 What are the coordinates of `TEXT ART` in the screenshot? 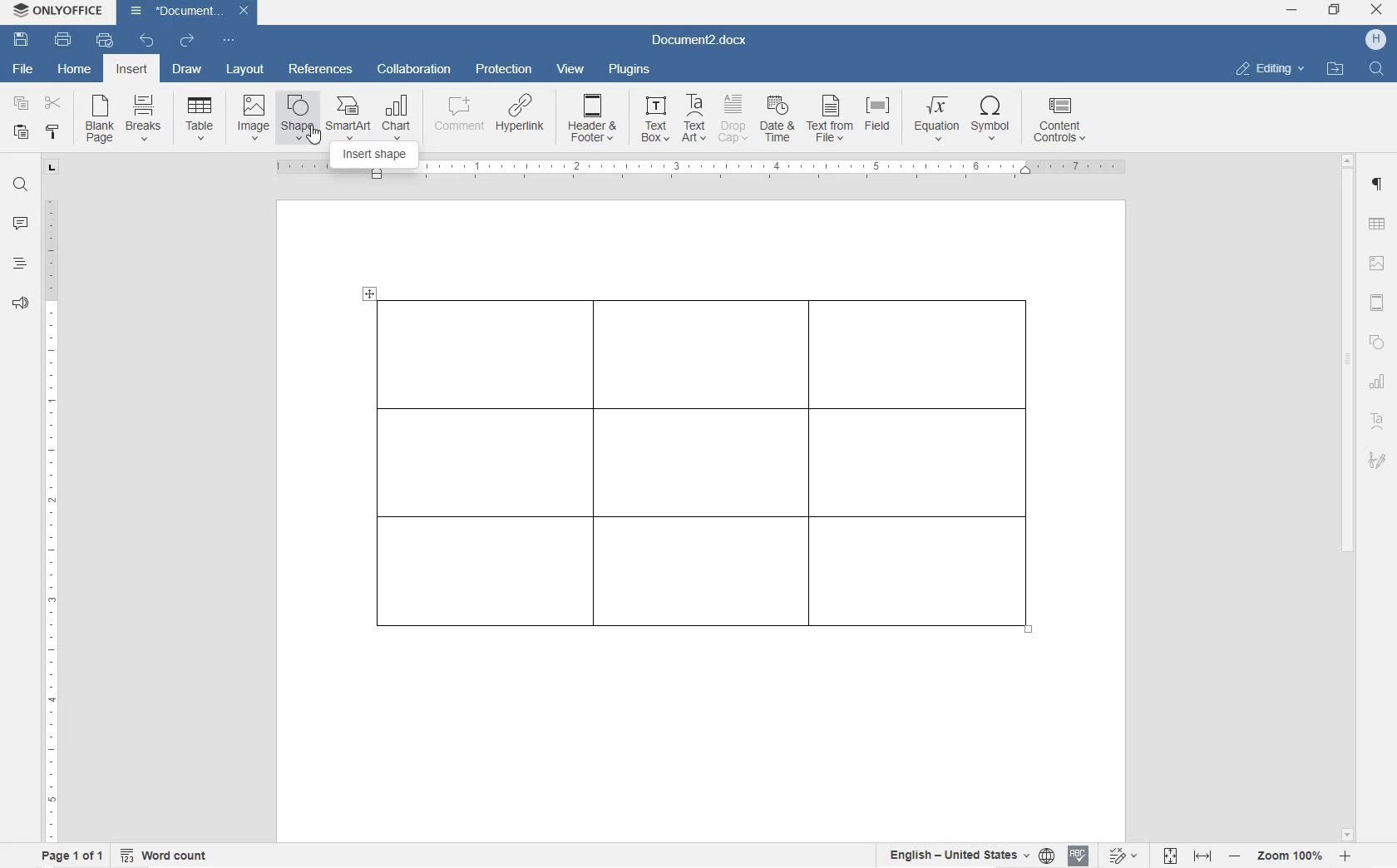 It's located at (692, 120).